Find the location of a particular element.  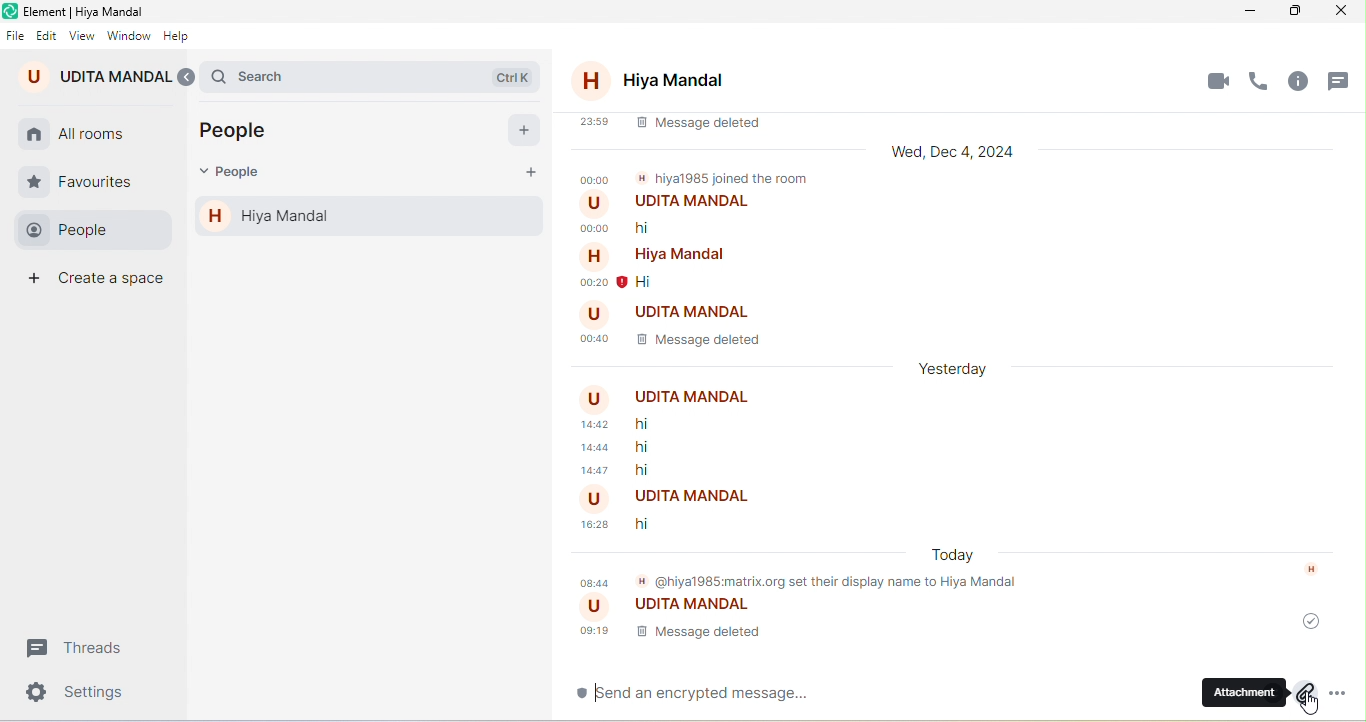

start chat is located at coordinates (522, 130).